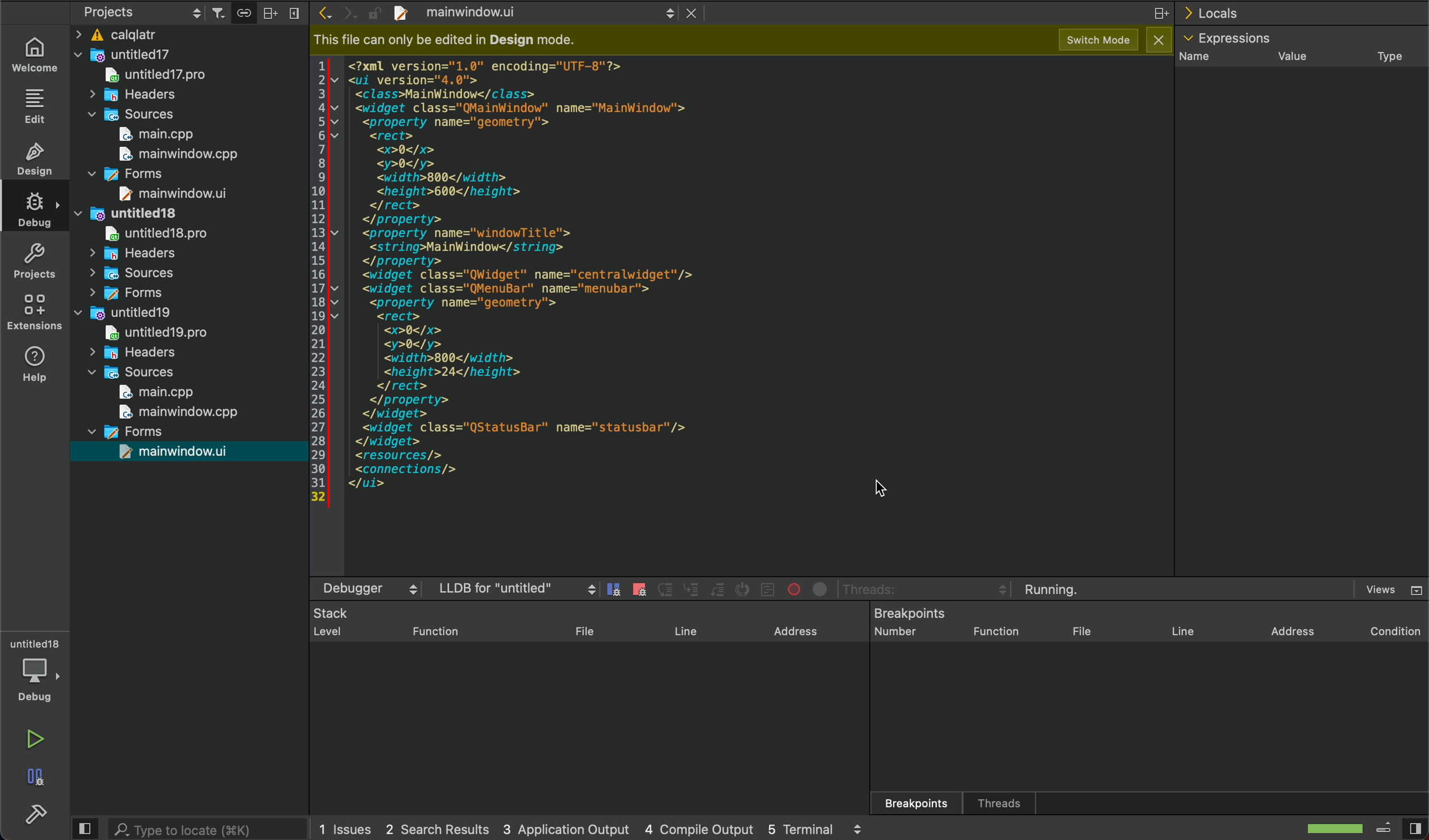  What do you see at coordinates (182, 193) in the screenshot?
I see `mainwindoe.ui` at bounding box center [182, 193].